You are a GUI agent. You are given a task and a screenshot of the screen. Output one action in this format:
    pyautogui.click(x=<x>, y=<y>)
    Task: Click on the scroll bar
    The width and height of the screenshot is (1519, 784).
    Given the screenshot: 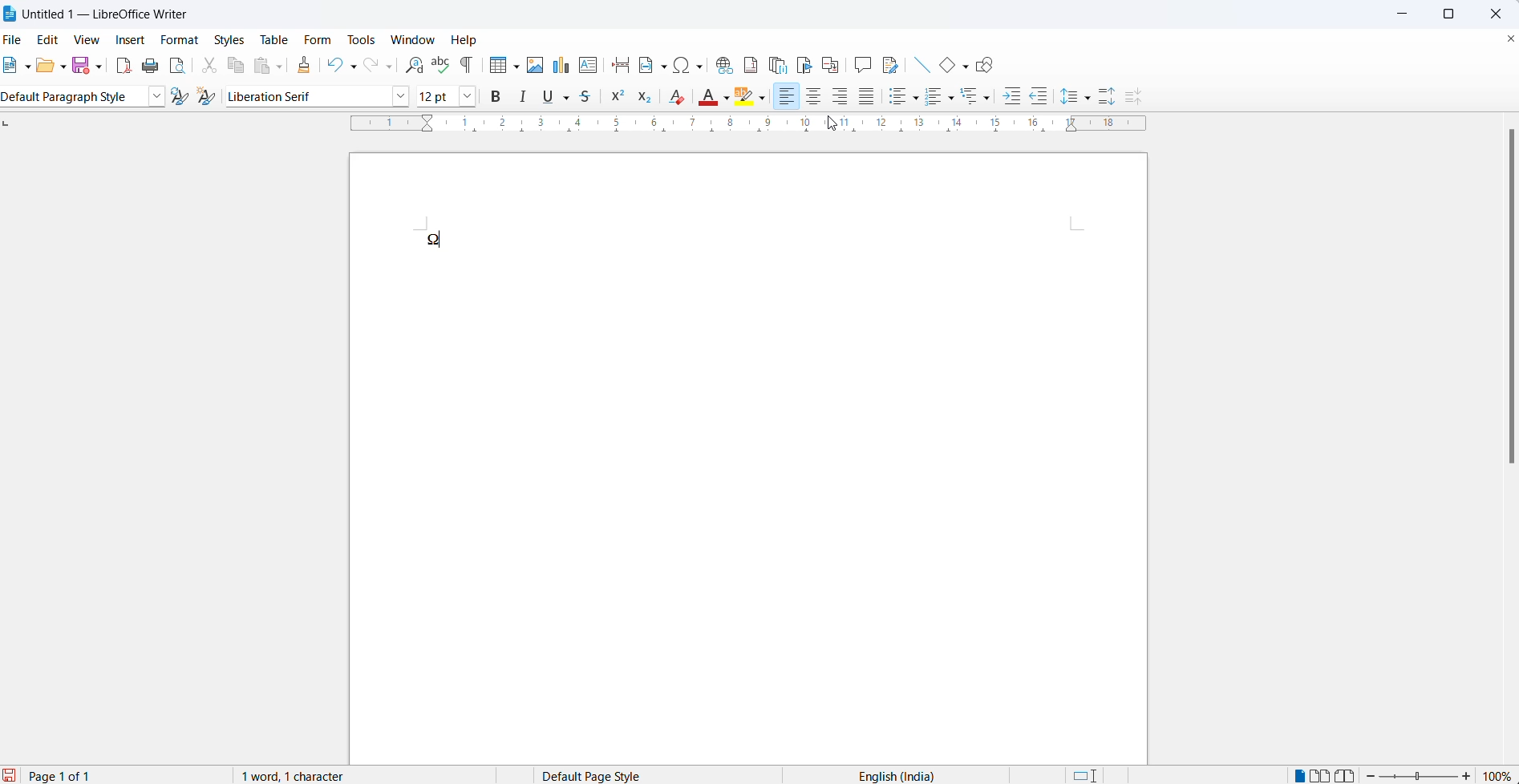 What is the action you would take?
    pyautogui.click(x=1509, y=302)
    